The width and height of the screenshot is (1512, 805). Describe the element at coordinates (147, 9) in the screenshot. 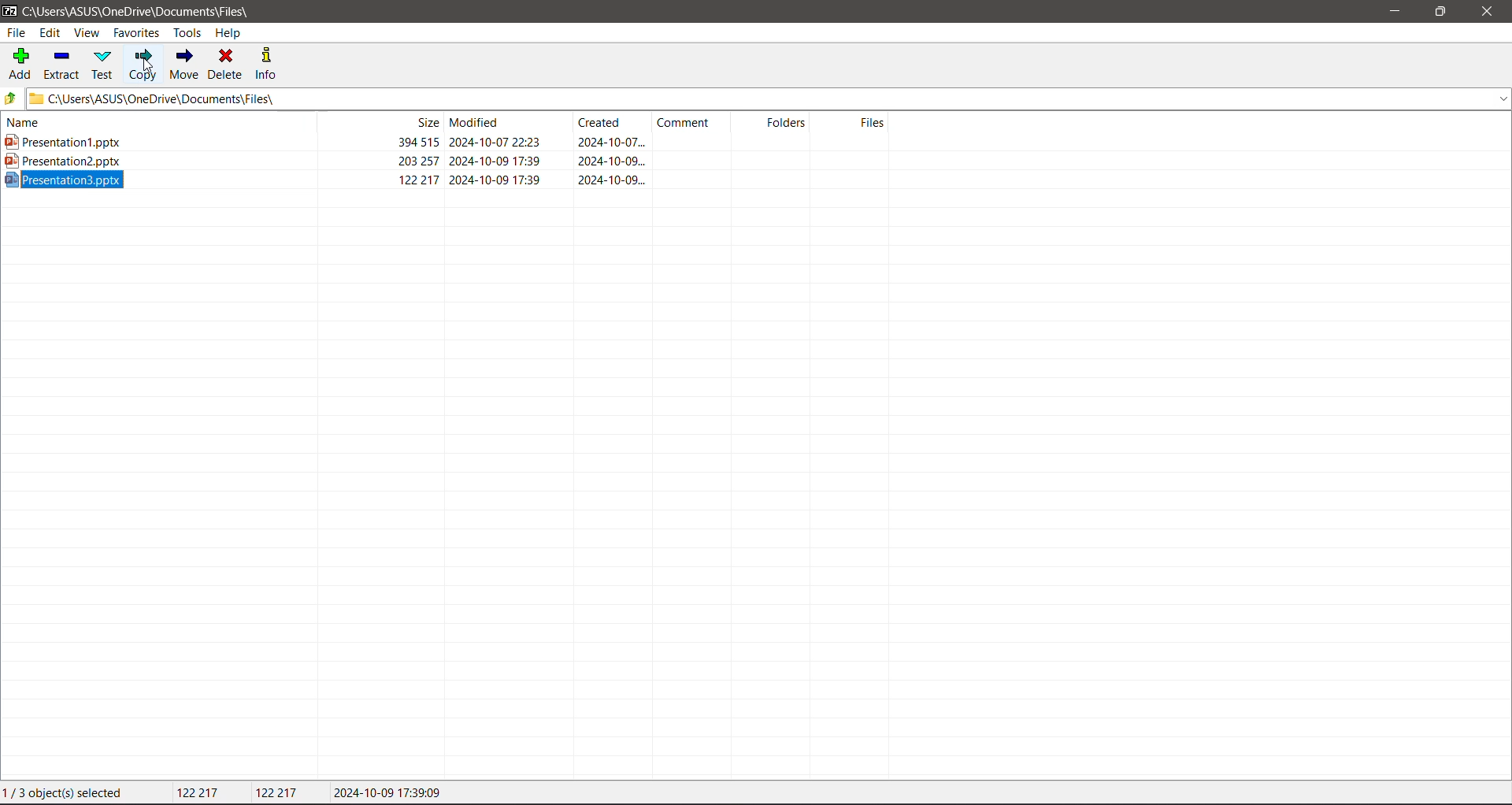

I see `Current Folder Path` at that location.